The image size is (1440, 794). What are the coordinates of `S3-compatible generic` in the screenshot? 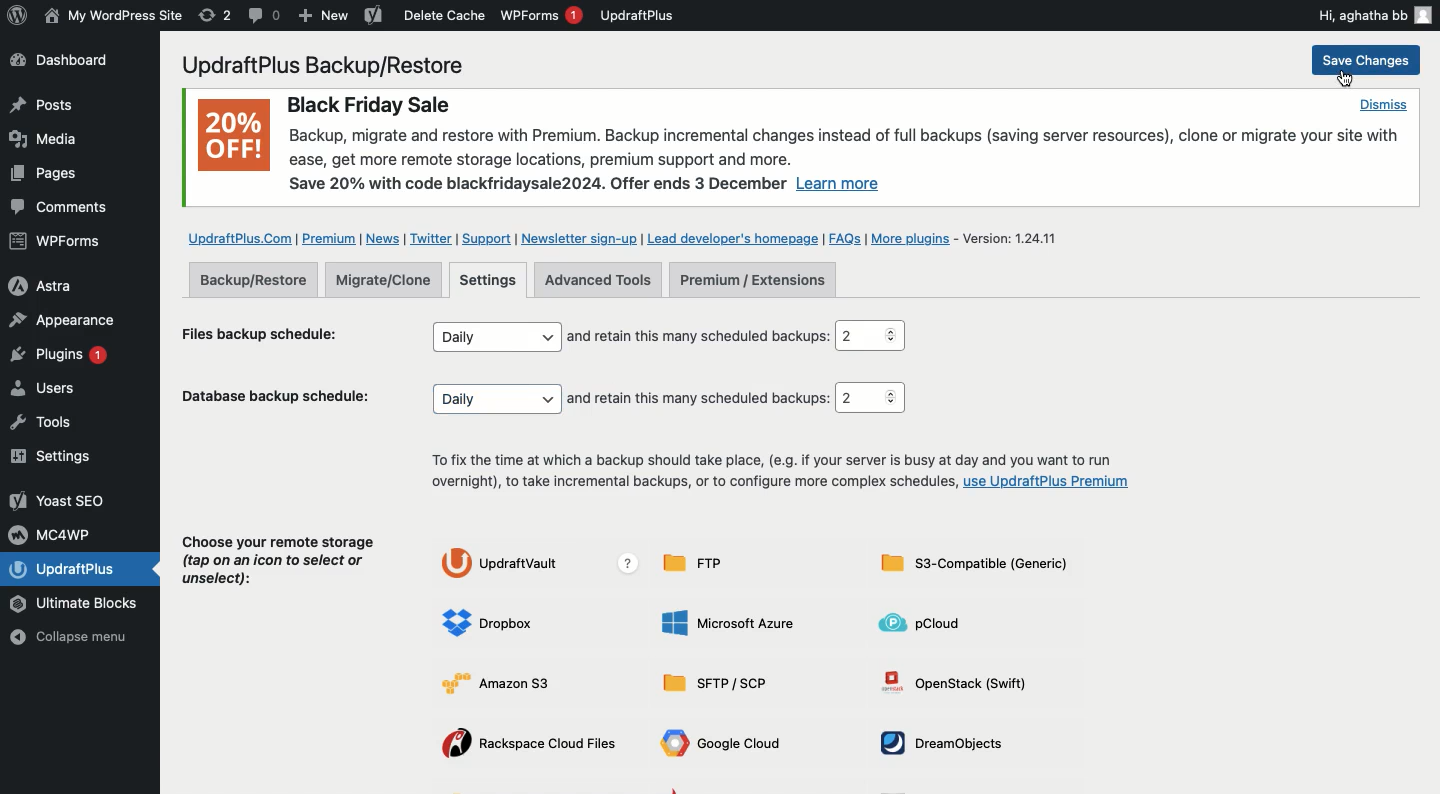 It's located at (974, 567).